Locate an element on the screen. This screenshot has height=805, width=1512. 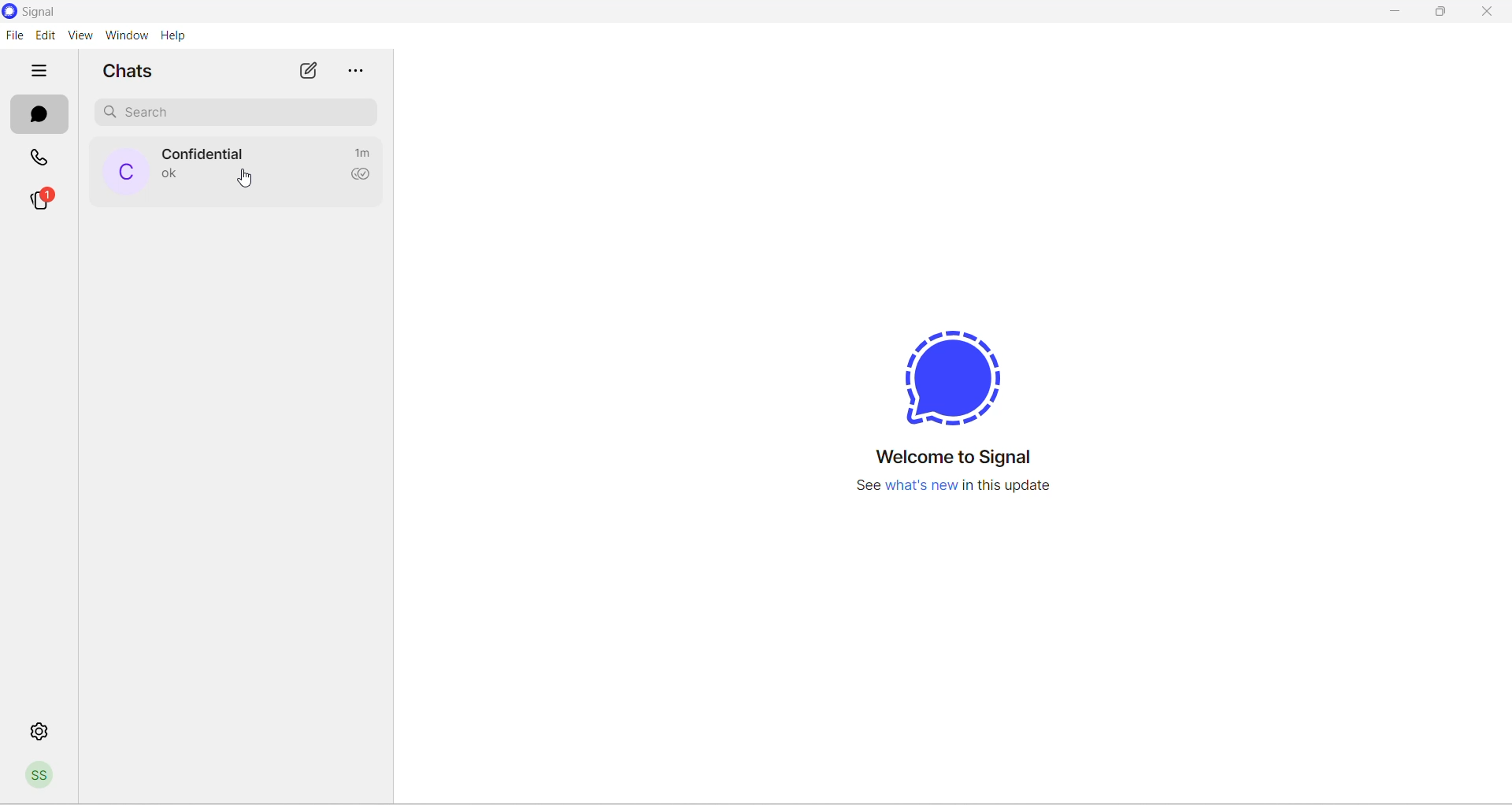
search chat is located at coordinates (232, 113).